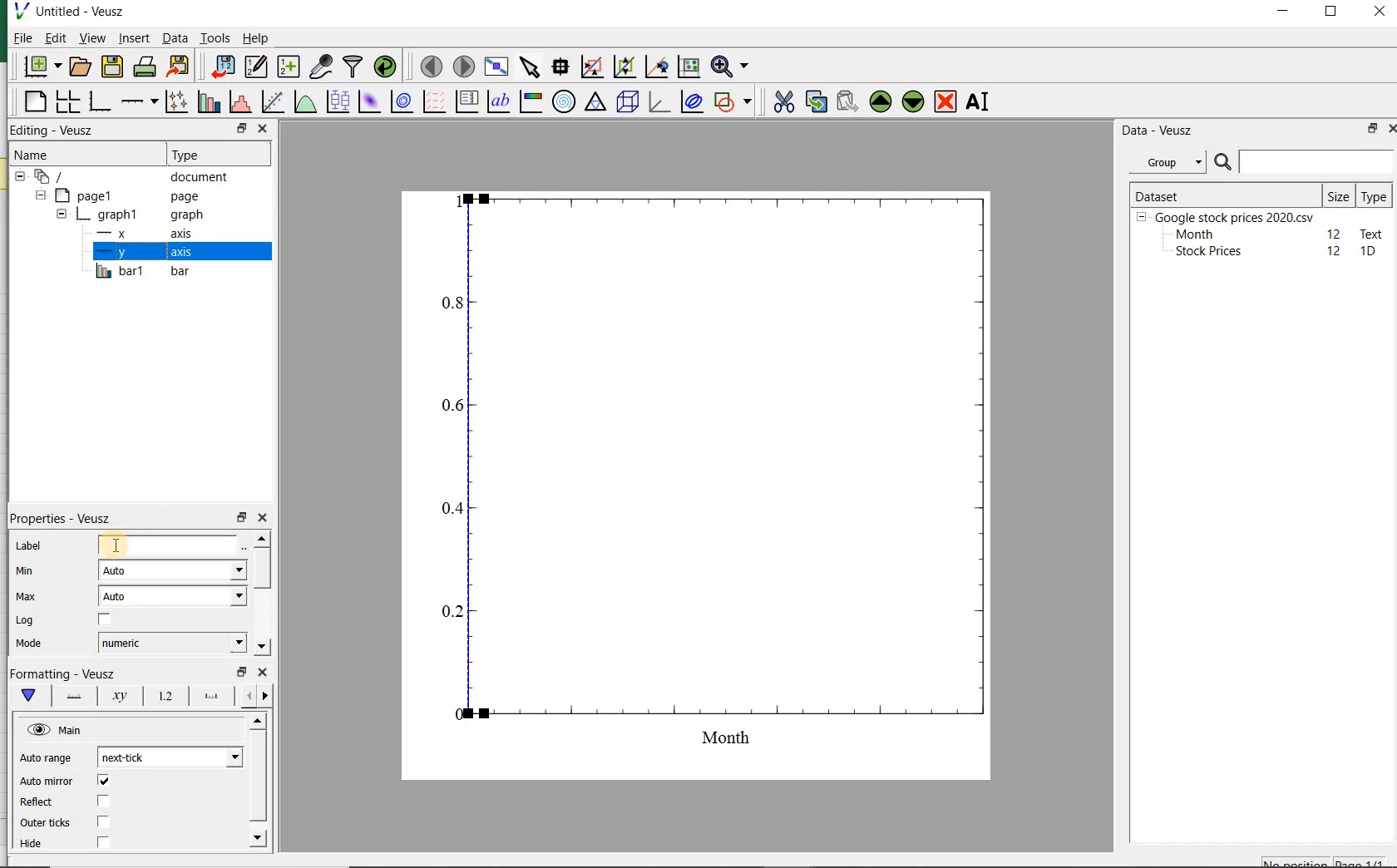 Image resolution: width=1397 pixels, height=868 pixels. What do you see at coordinates (975, 104) in the screenshot?
I see `renames the selected widget` at bounding box center [975, 104].